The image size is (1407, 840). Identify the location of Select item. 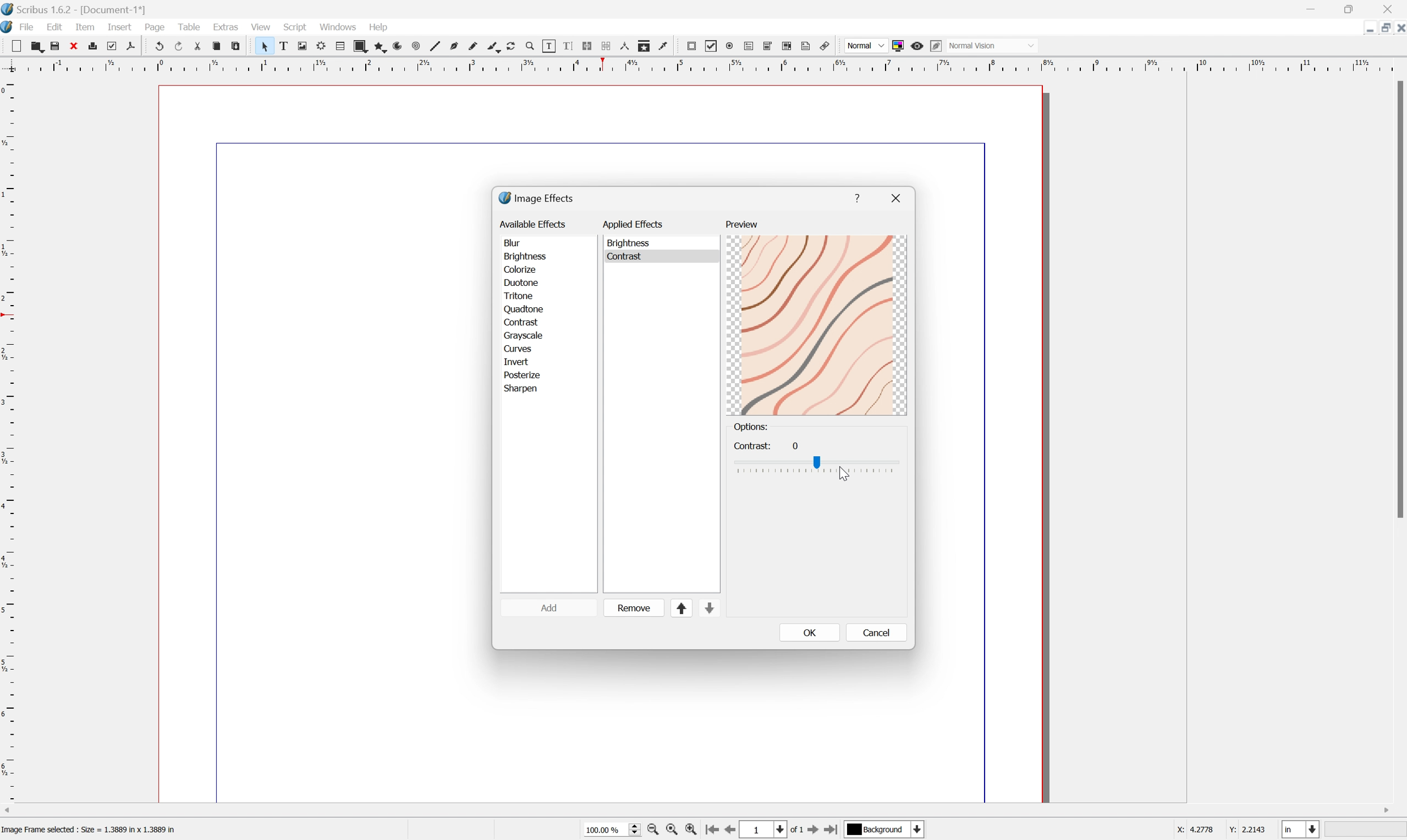
(263, 46).